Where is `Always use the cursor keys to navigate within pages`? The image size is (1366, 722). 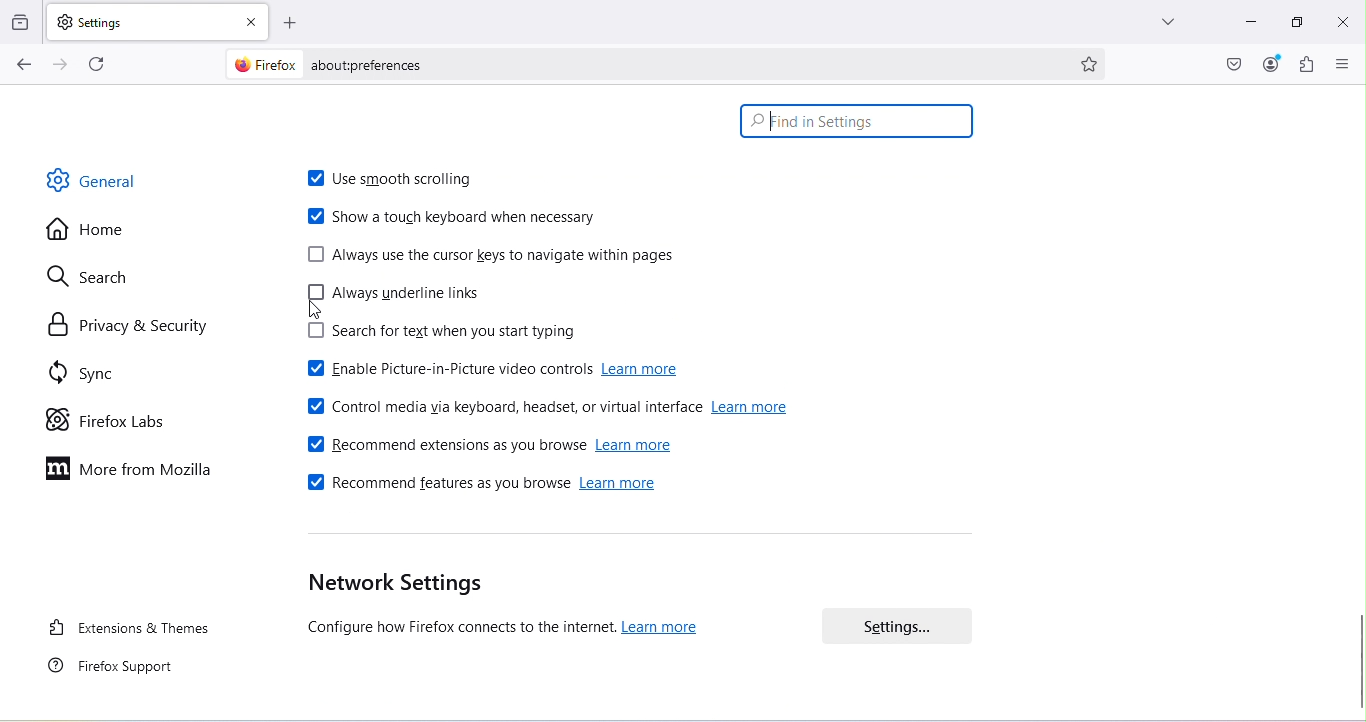
Always use the cursor keys to navigate within pages is located at coordinates (493, 259).